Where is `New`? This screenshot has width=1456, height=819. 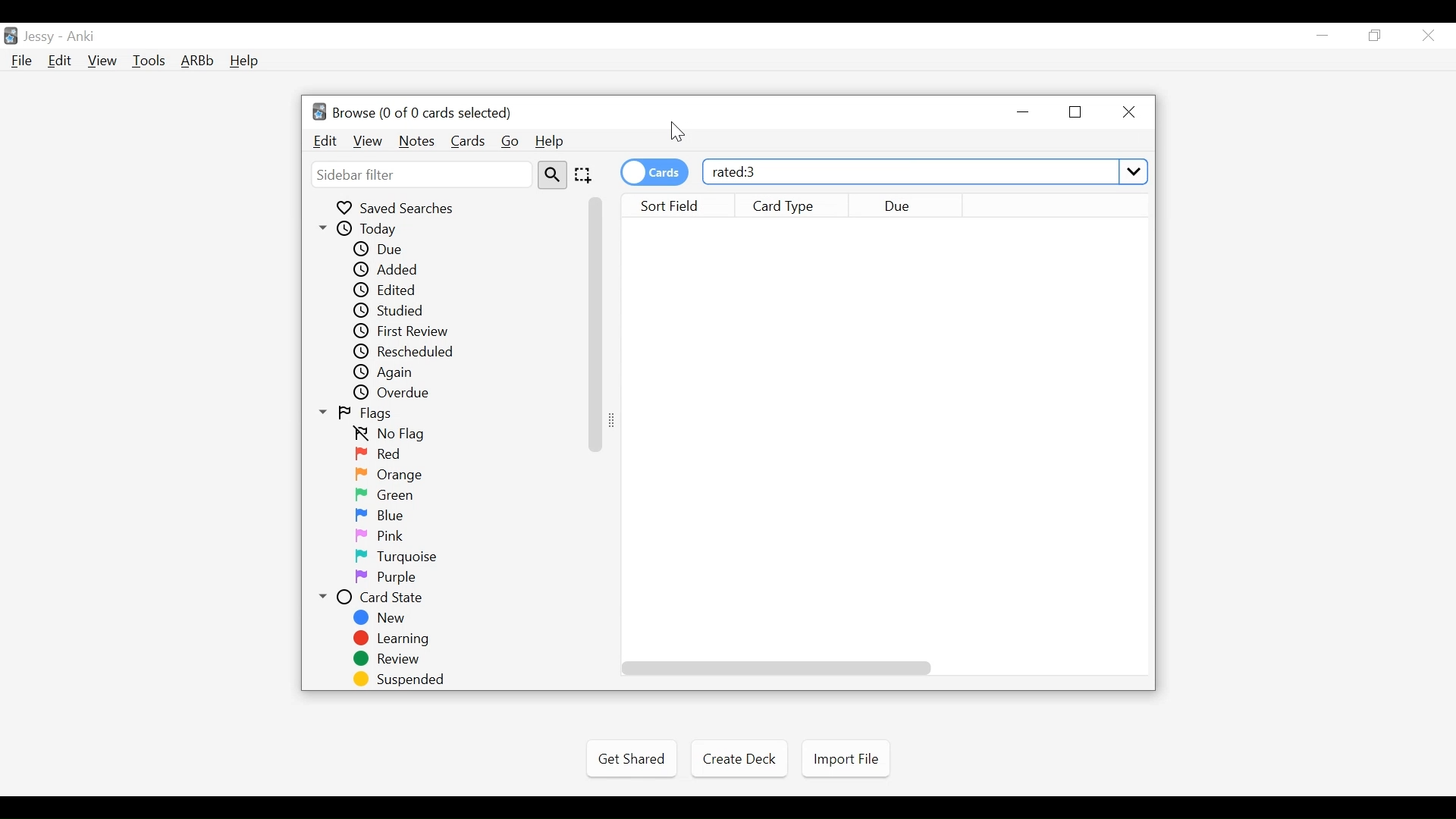 New is located at coordinates (383, 620).